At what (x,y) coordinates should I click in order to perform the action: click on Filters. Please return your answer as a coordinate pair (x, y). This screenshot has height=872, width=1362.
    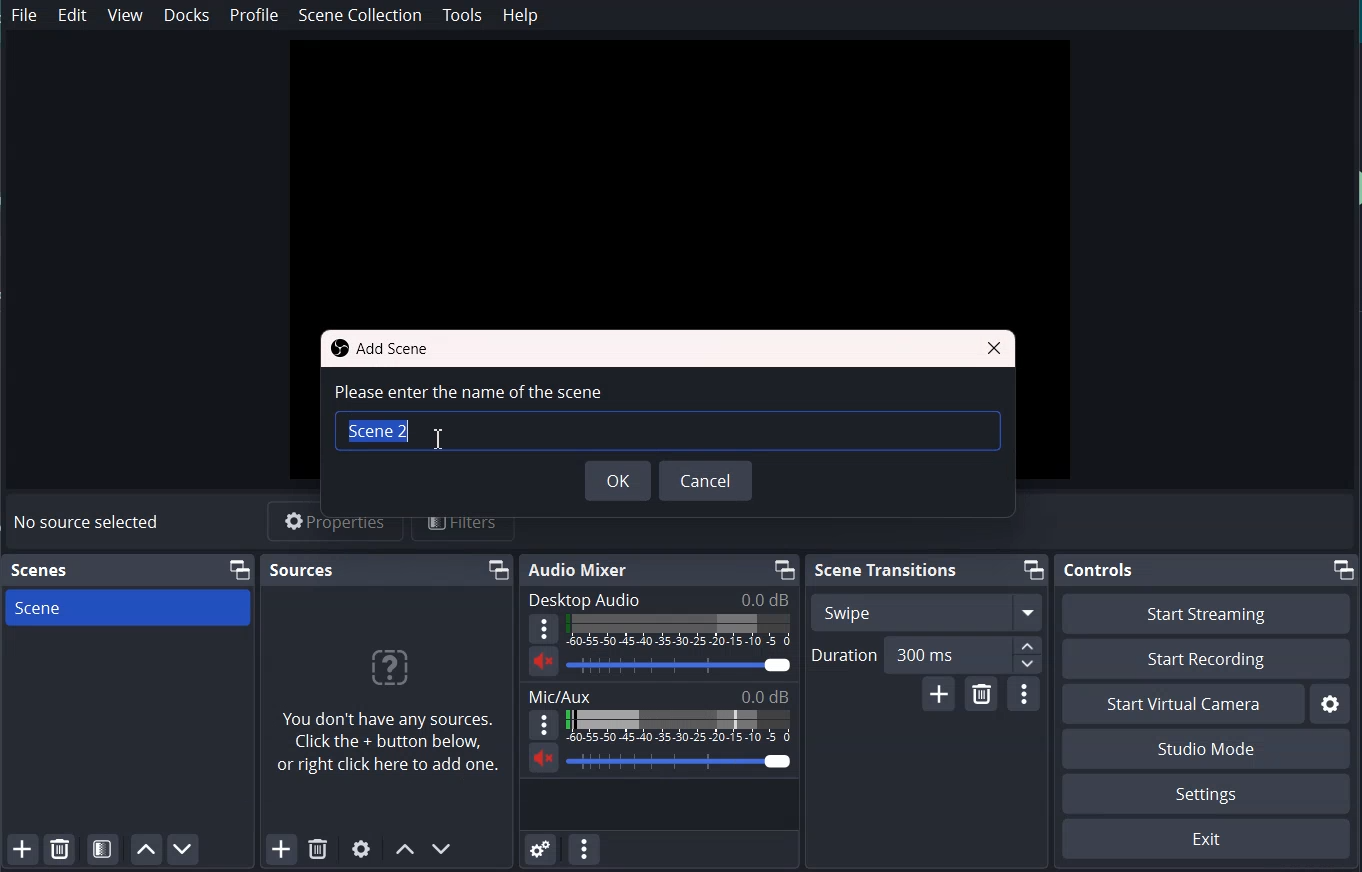
    Looking at the image, I should click on (463, 525).